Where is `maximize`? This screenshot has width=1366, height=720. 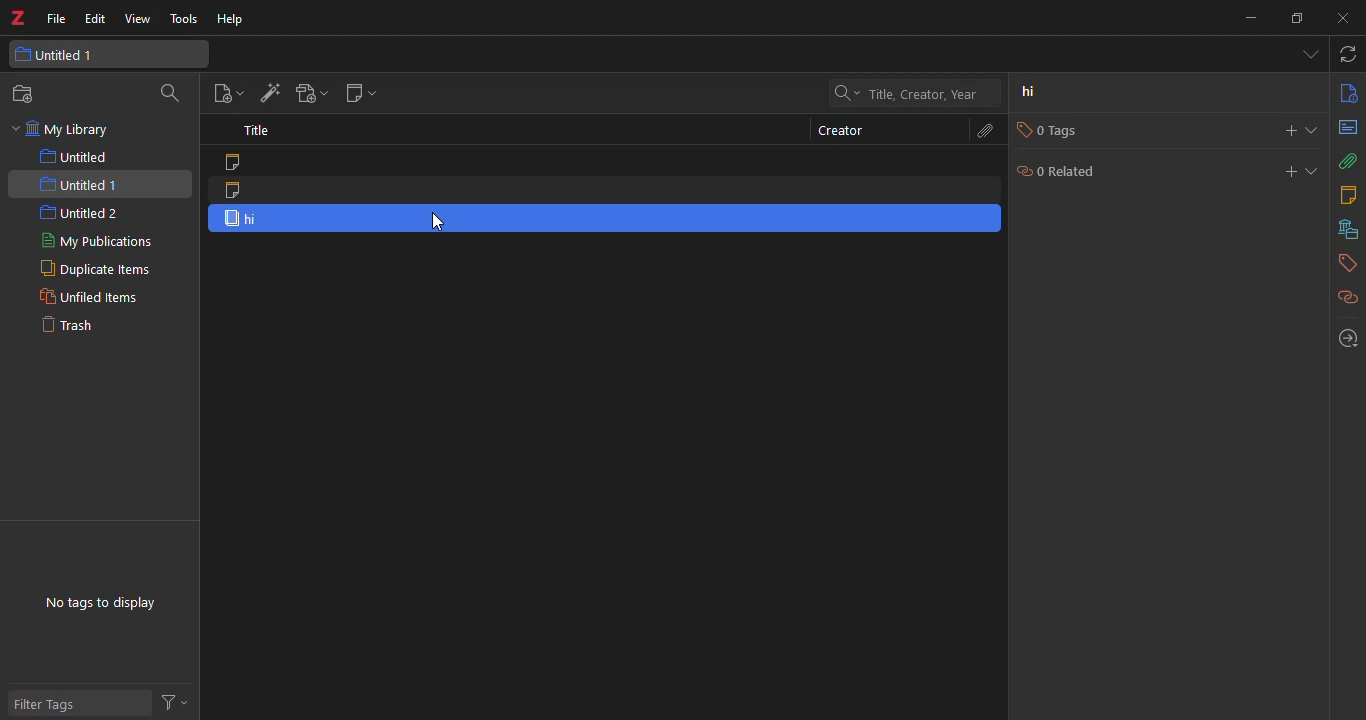 maximize is located at coordinates (1295, 18).